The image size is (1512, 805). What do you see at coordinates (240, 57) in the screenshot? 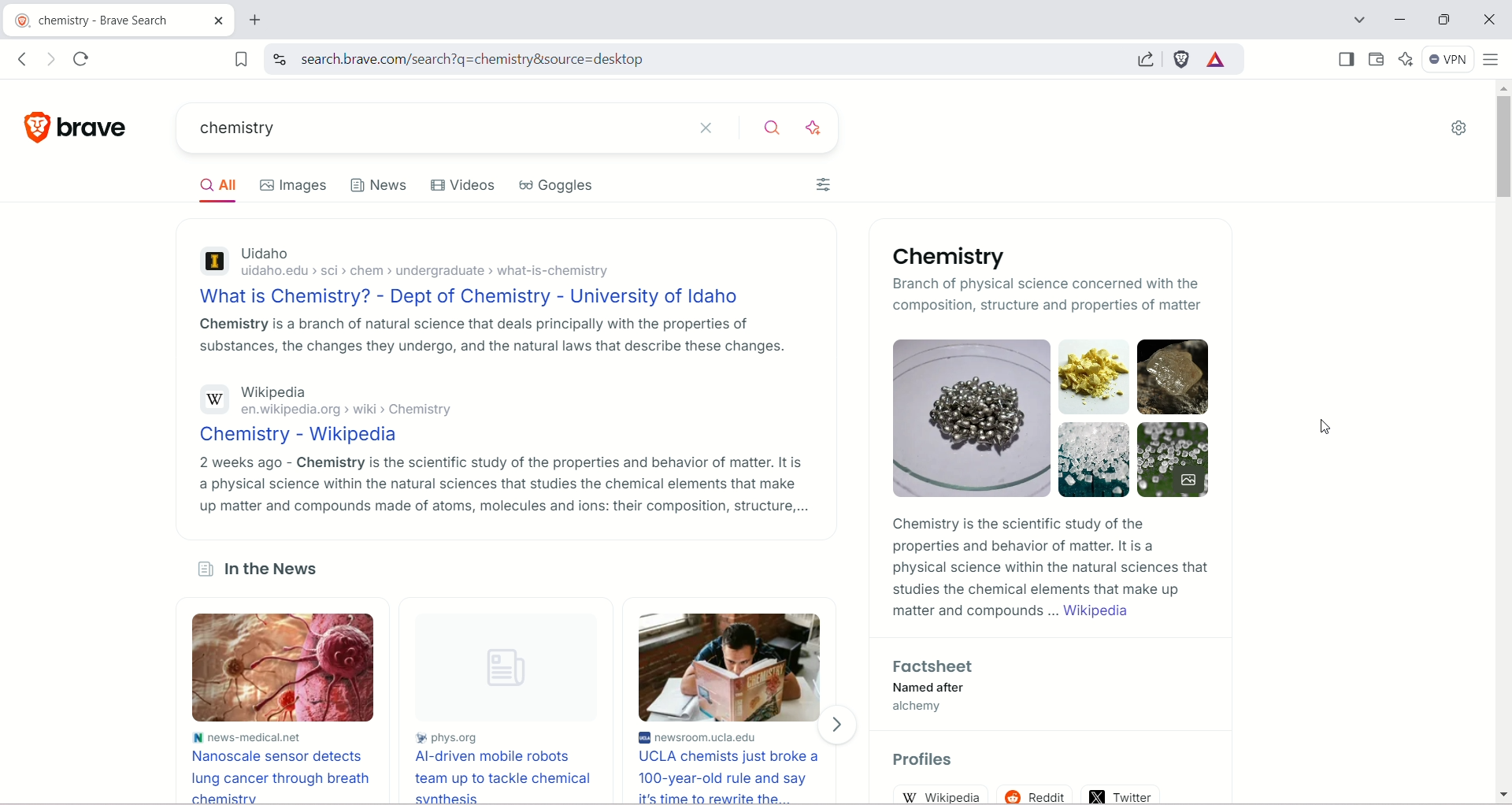
I see `bookmark` at bounding box center [240, 57].